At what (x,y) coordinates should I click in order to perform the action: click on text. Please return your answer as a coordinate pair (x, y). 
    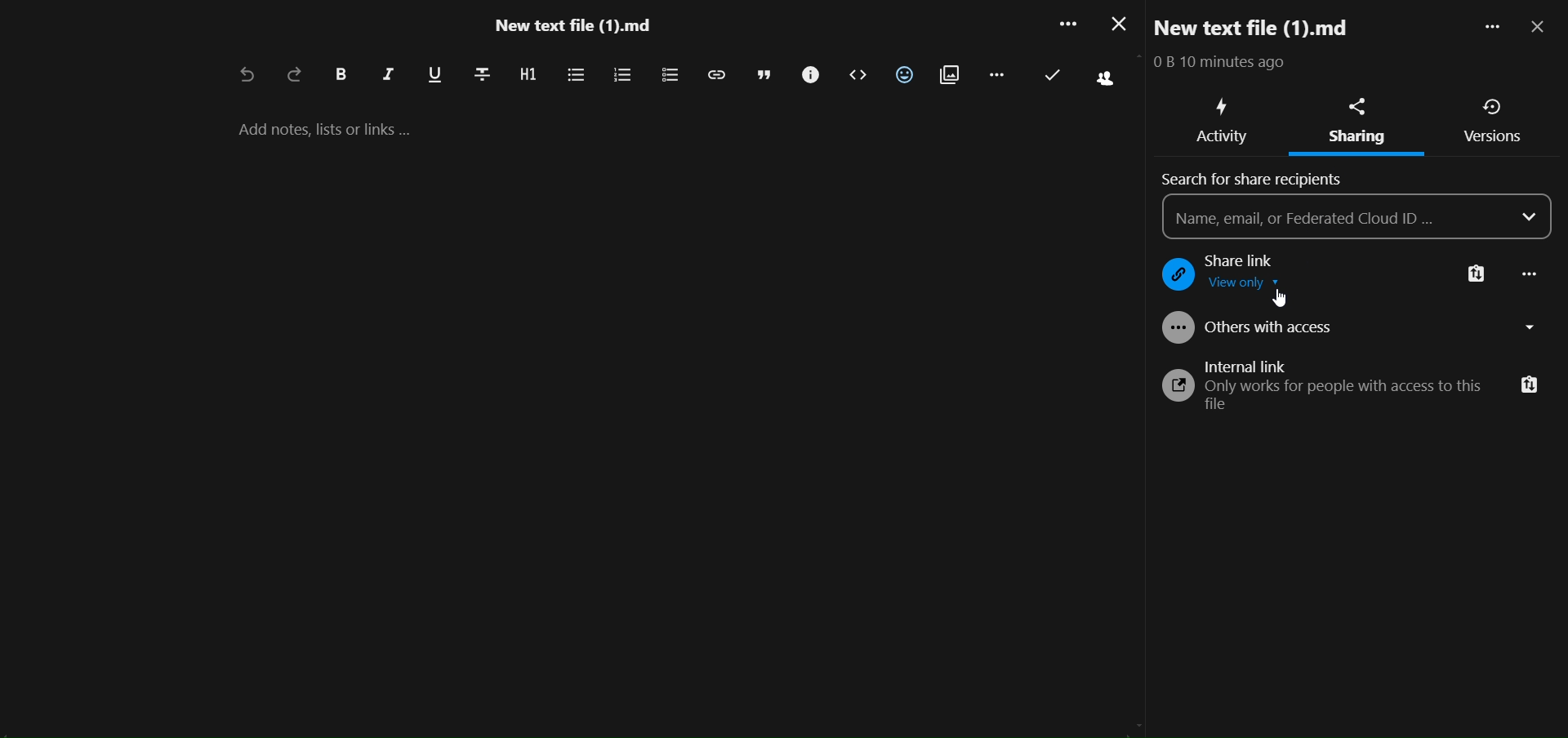
    Looking at the image, I should click on (1347, 397).